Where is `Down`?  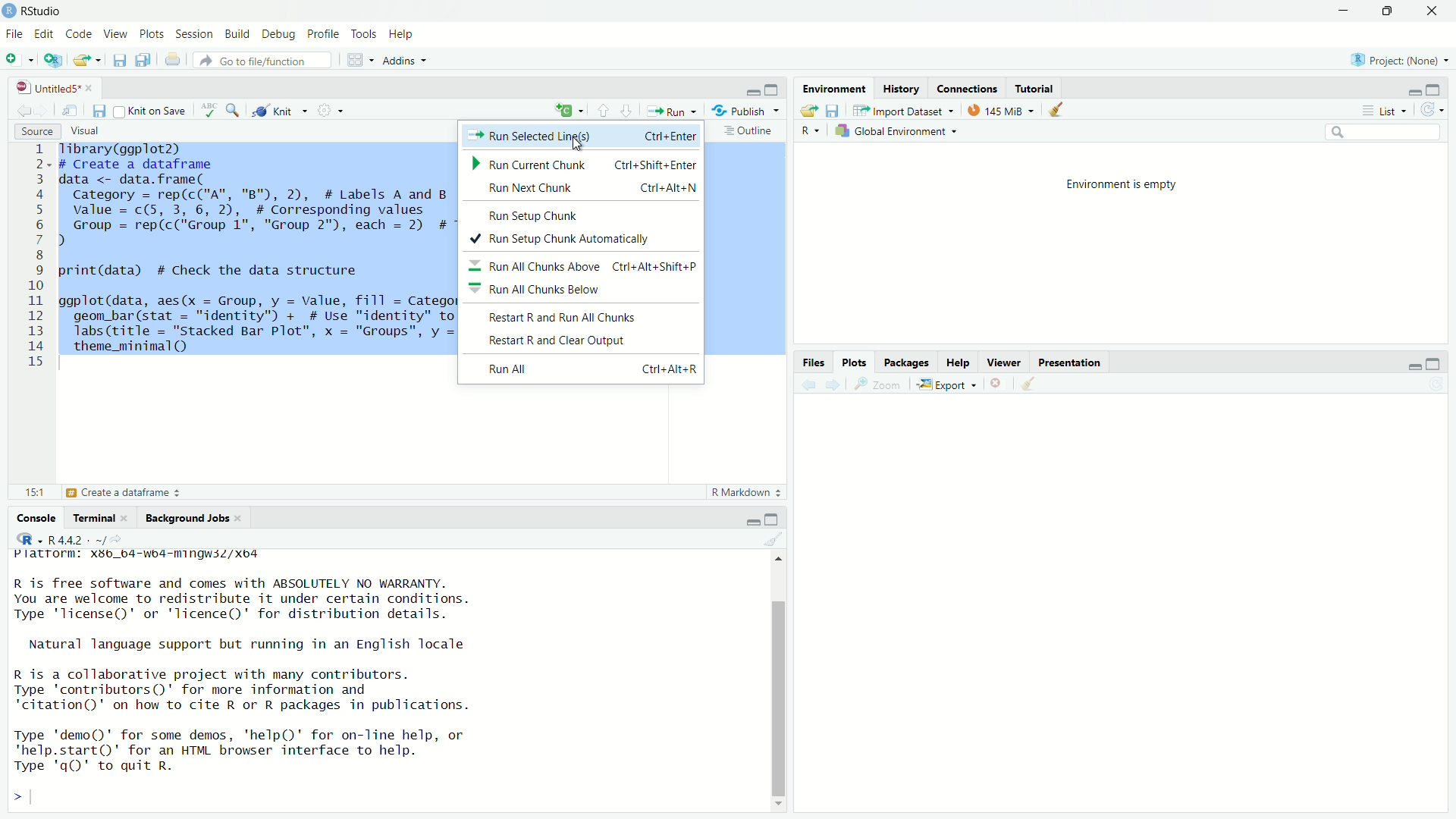 Down is located at coordinates (783, 802).